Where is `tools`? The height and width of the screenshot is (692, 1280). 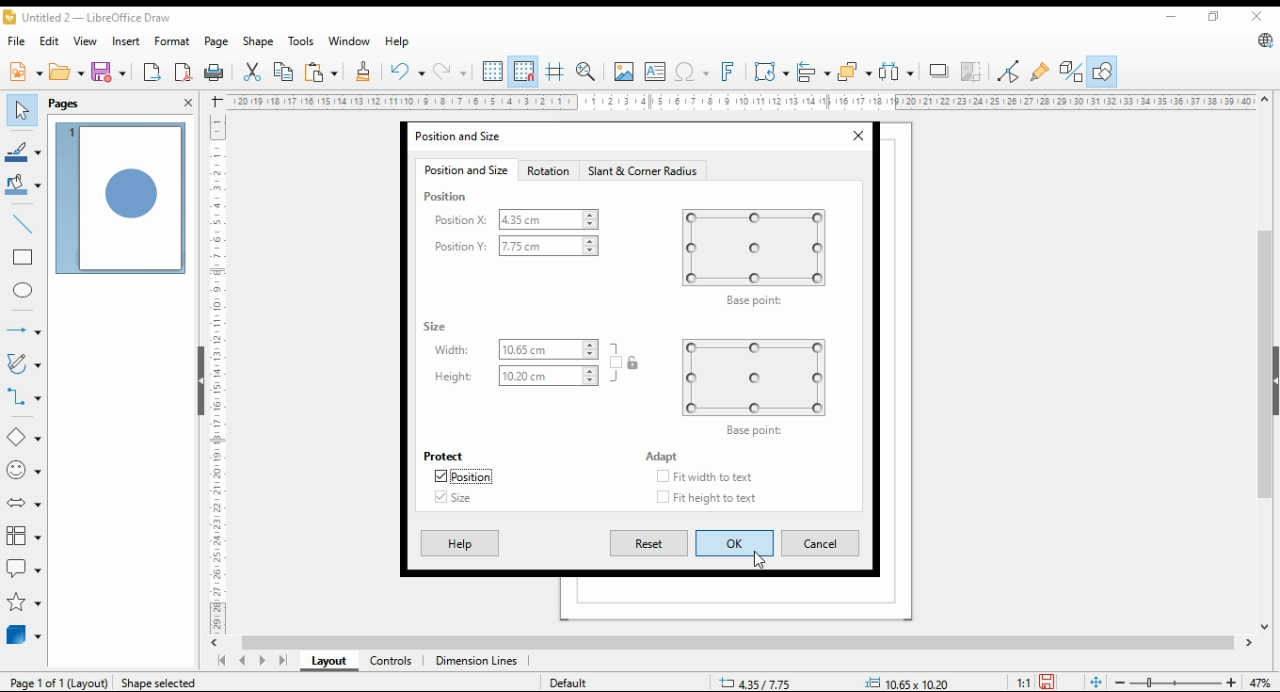
tools is located at coordinates (301, 43).